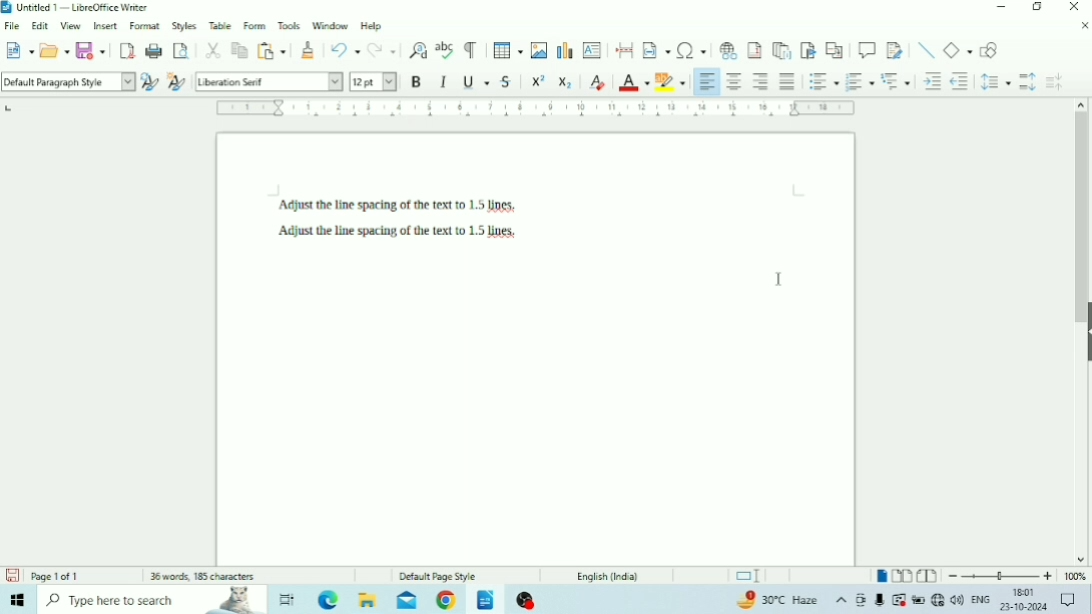  Describe the element at coordinates (787, 82) in the screenshot. I see `Justified` at that location.